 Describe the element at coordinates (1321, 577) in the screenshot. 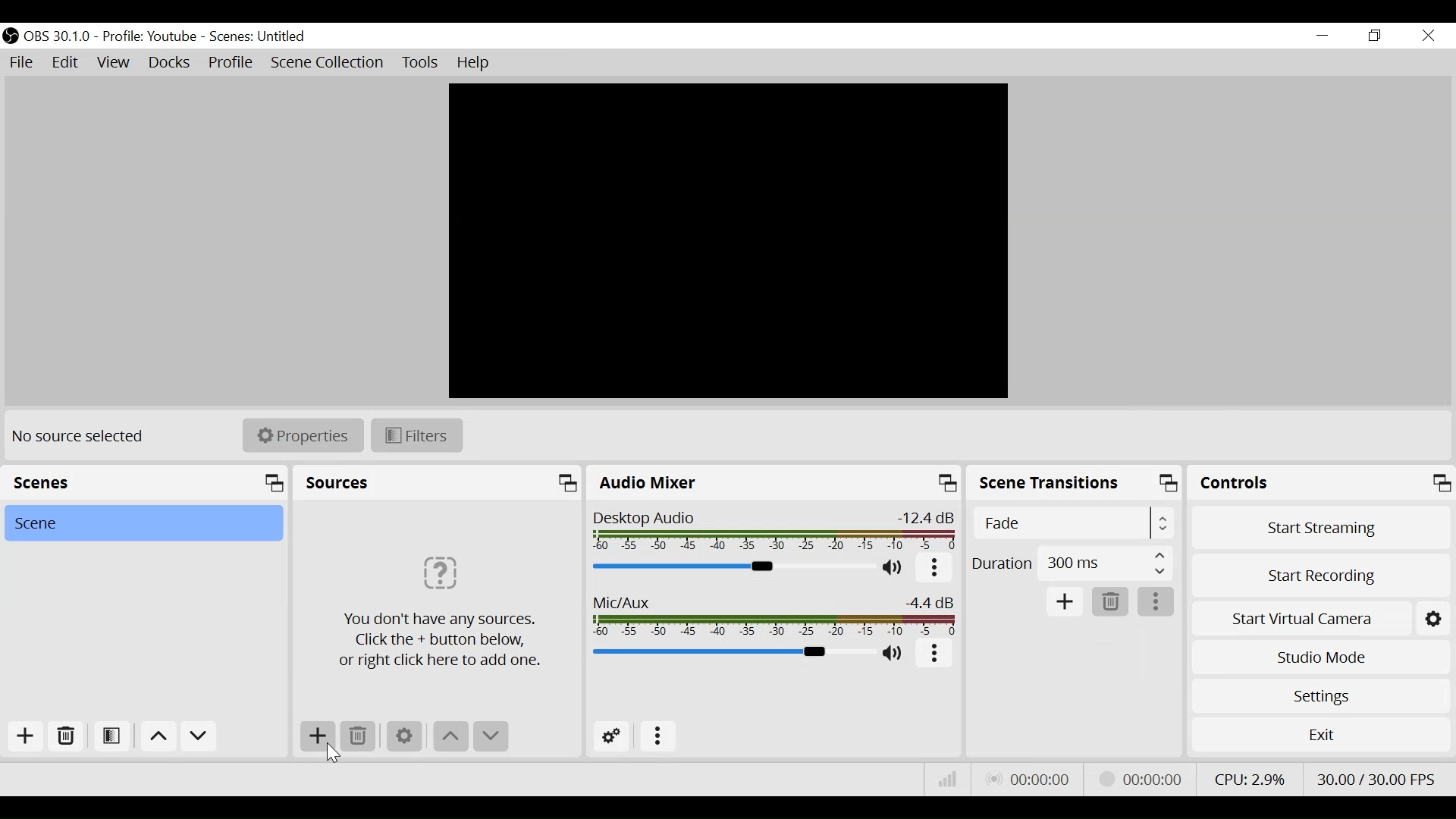

I see `Start Recording` at that location.